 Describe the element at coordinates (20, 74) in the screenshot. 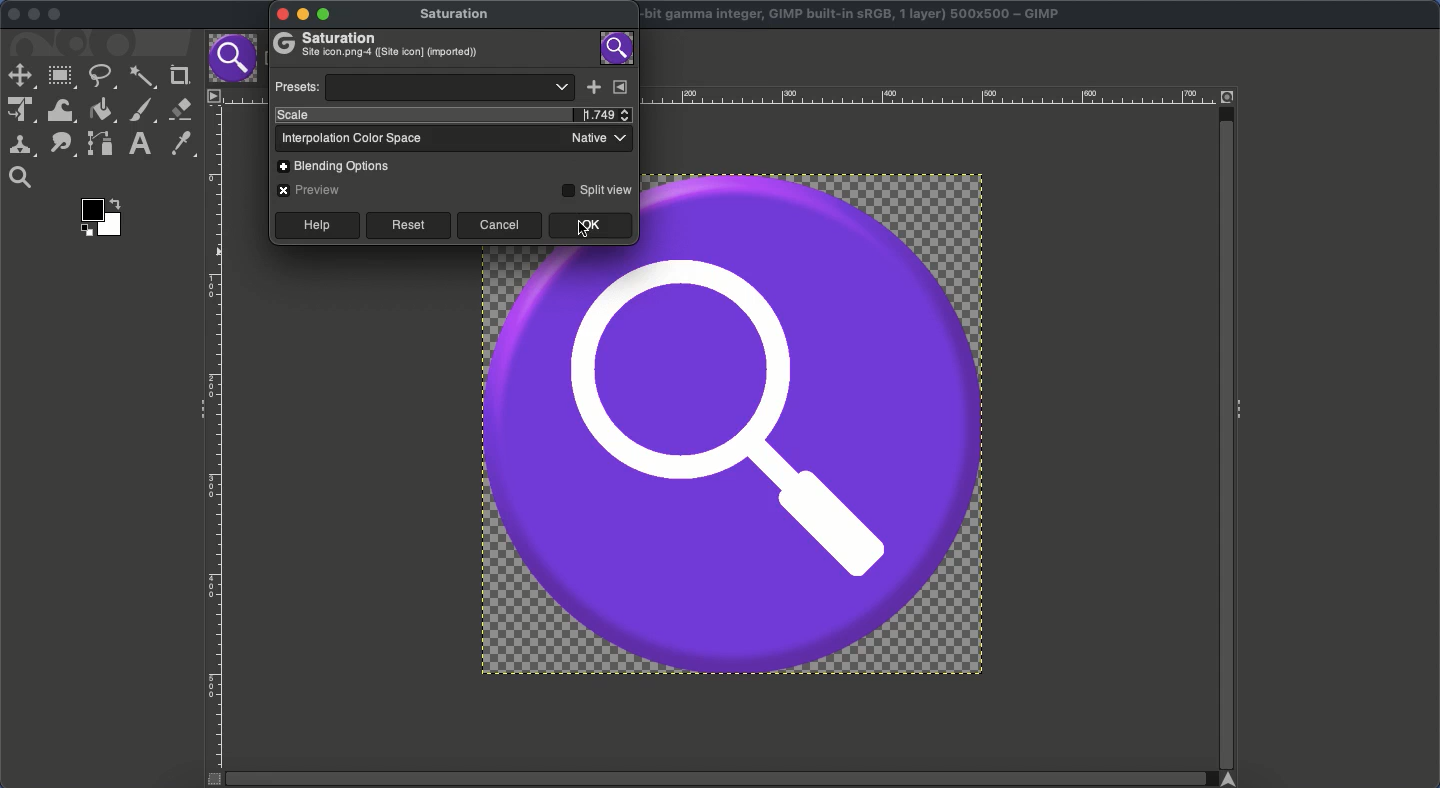

I see `Move tool` at that location.